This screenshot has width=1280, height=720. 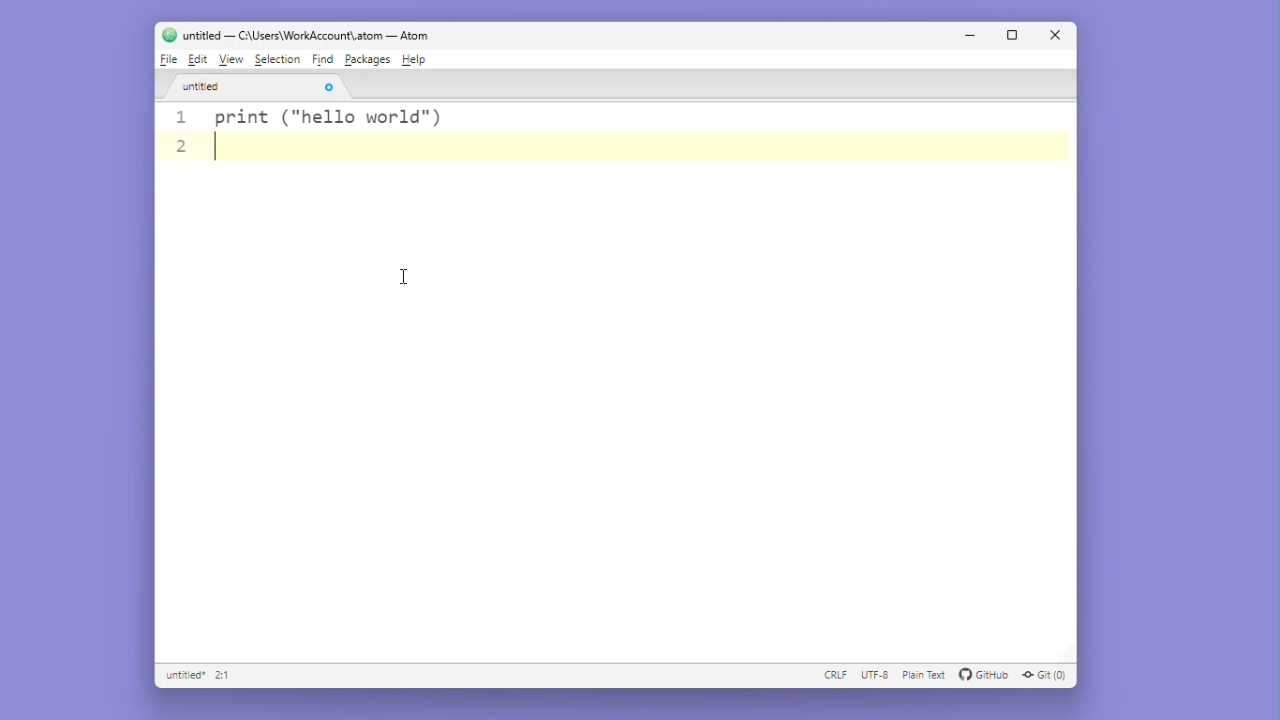 What do you see at coordinates (368, 58) in the screenshot?
I see `Packages` at bounding box center [368, 58].